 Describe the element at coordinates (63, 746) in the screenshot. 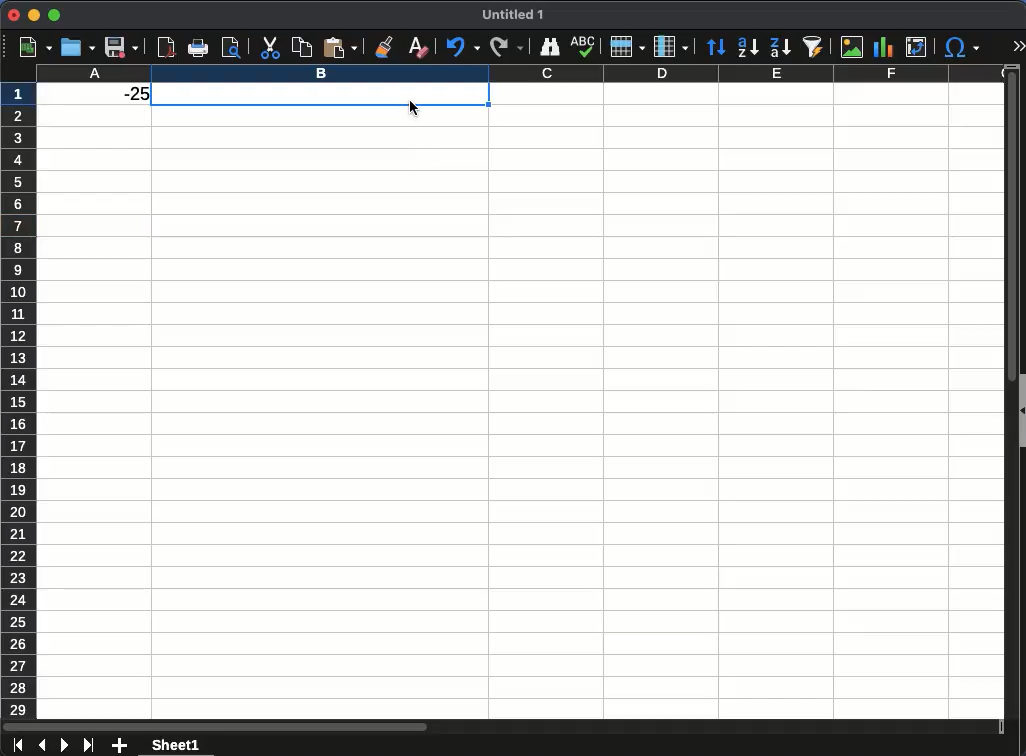

I see `next sheet` at that location.